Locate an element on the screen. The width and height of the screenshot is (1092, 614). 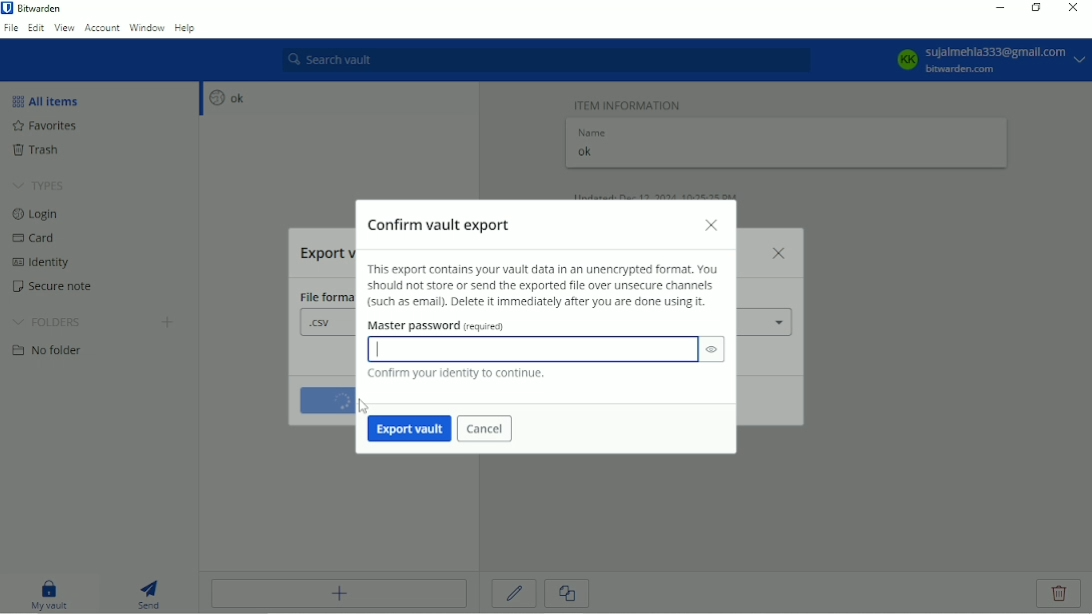
Secure note is located at coordinates (62, 289).